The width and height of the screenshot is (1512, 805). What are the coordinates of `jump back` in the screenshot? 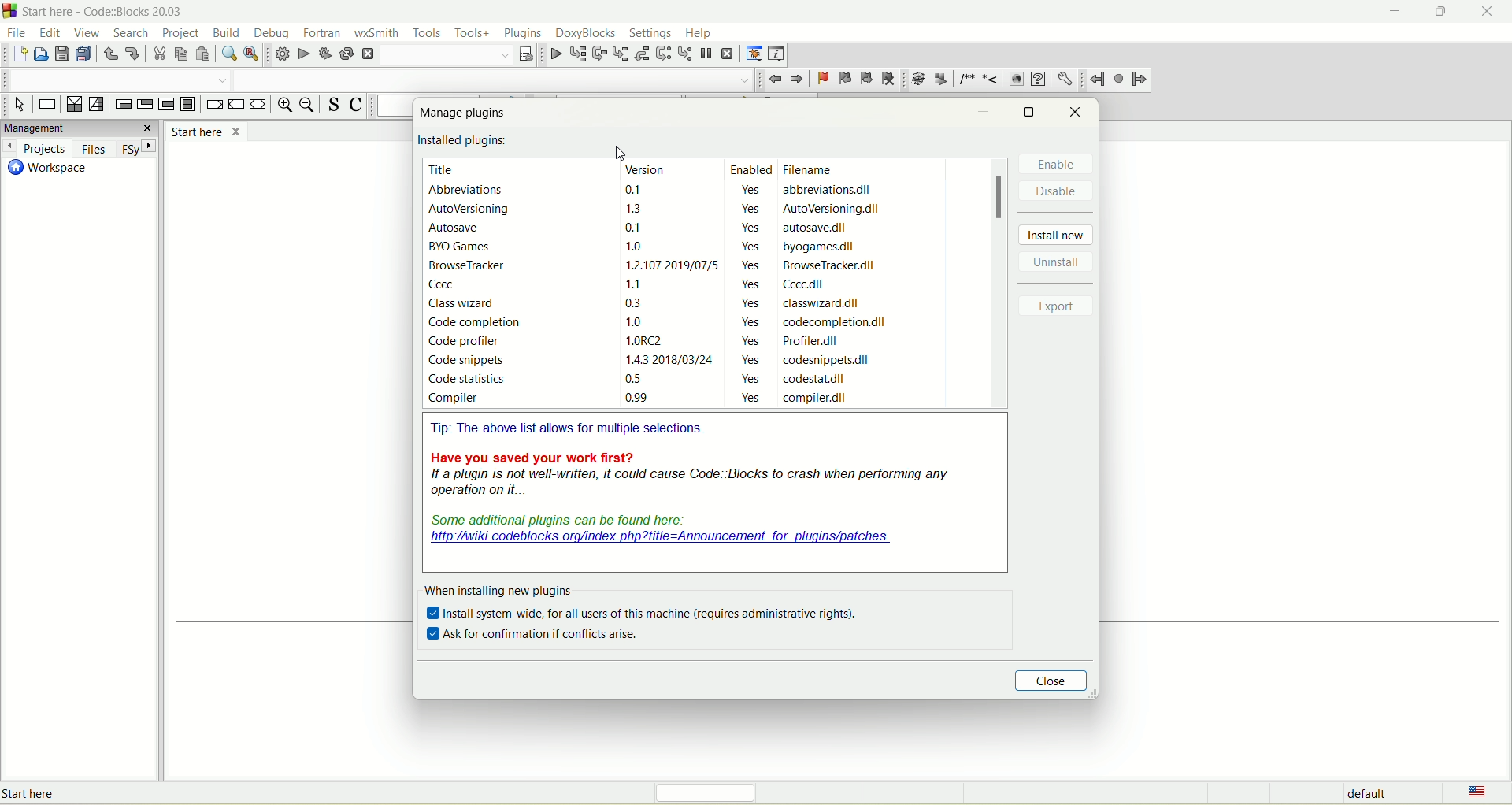 It's located at (1098, 79).